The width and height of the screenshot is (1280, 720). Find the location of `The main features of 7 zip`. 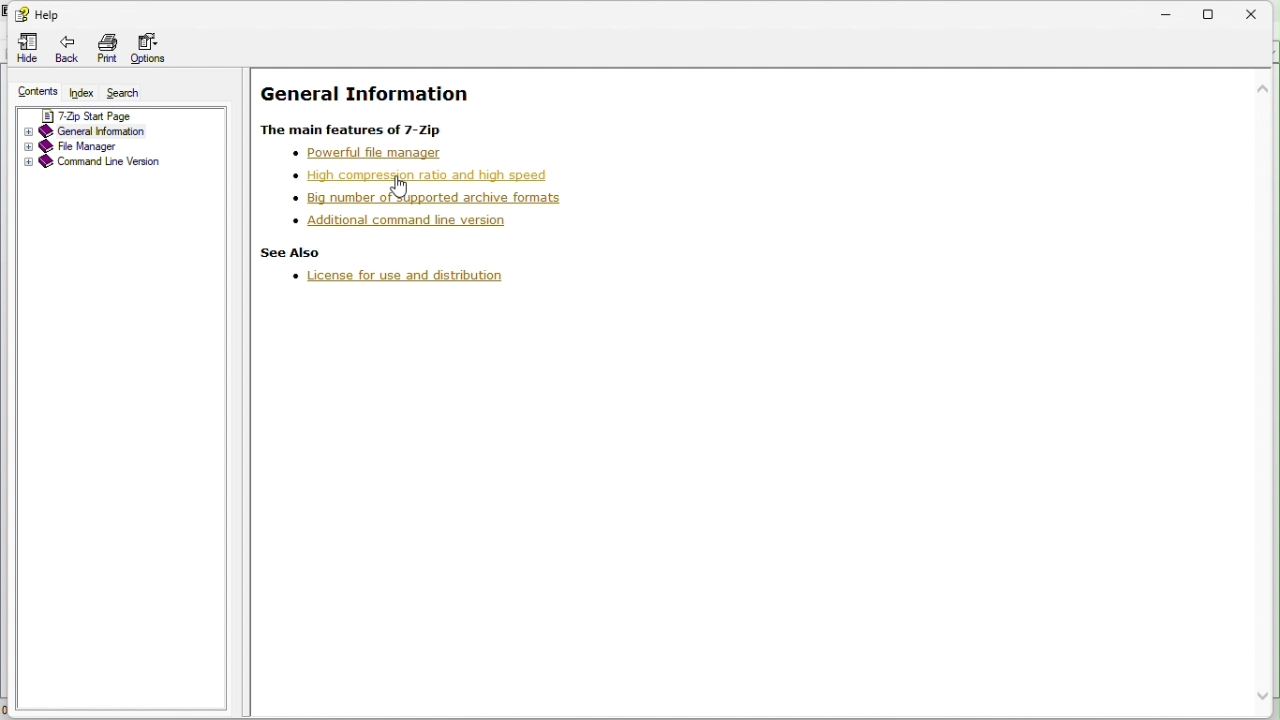

The main features of 7 zip is located at coordinates (358, 131).